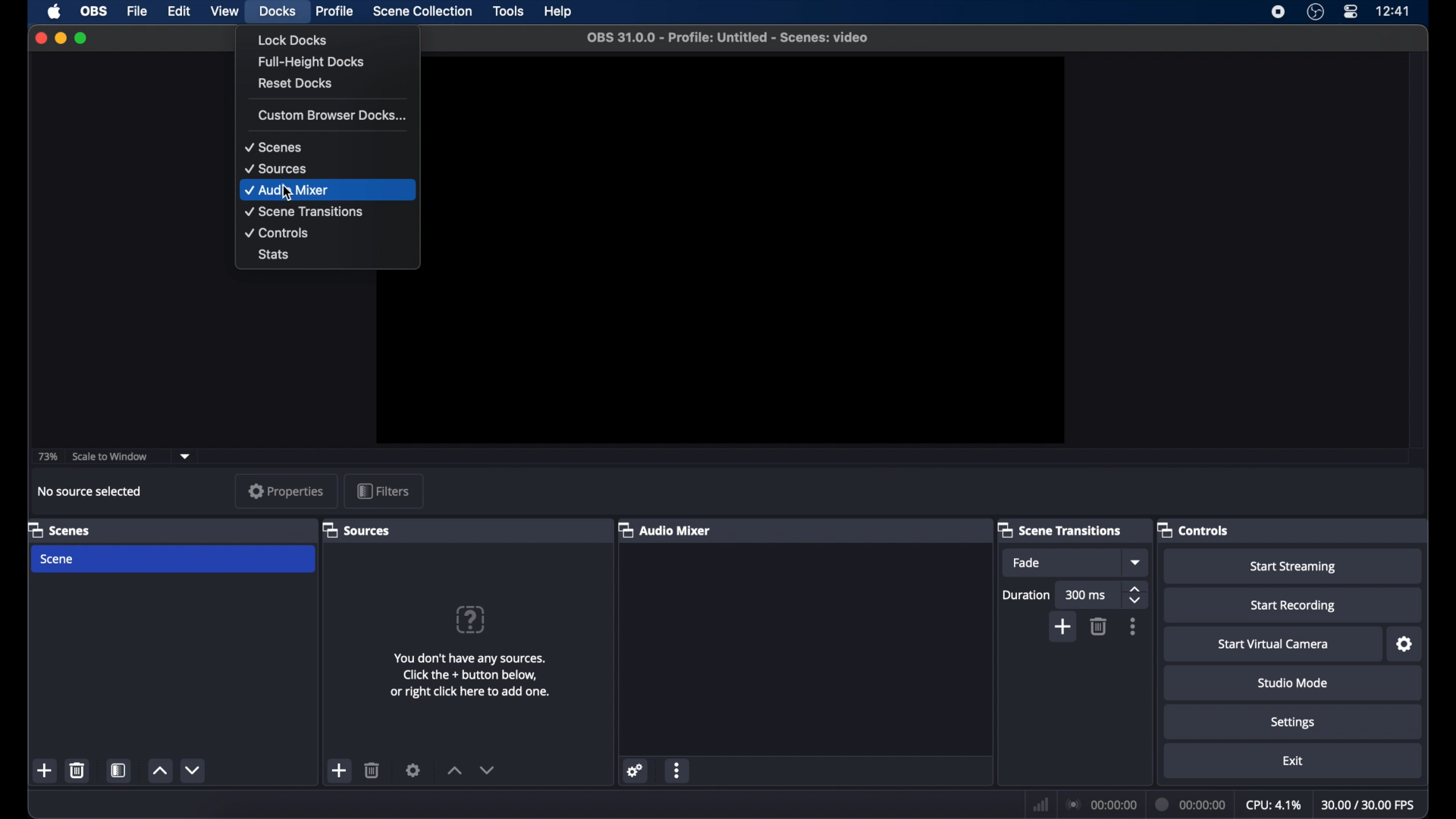 The height and width of the screenshot is (819, 1456). Describe the element at coordinates (422, 11) in the screenshot. I see `scene collection` at that location.